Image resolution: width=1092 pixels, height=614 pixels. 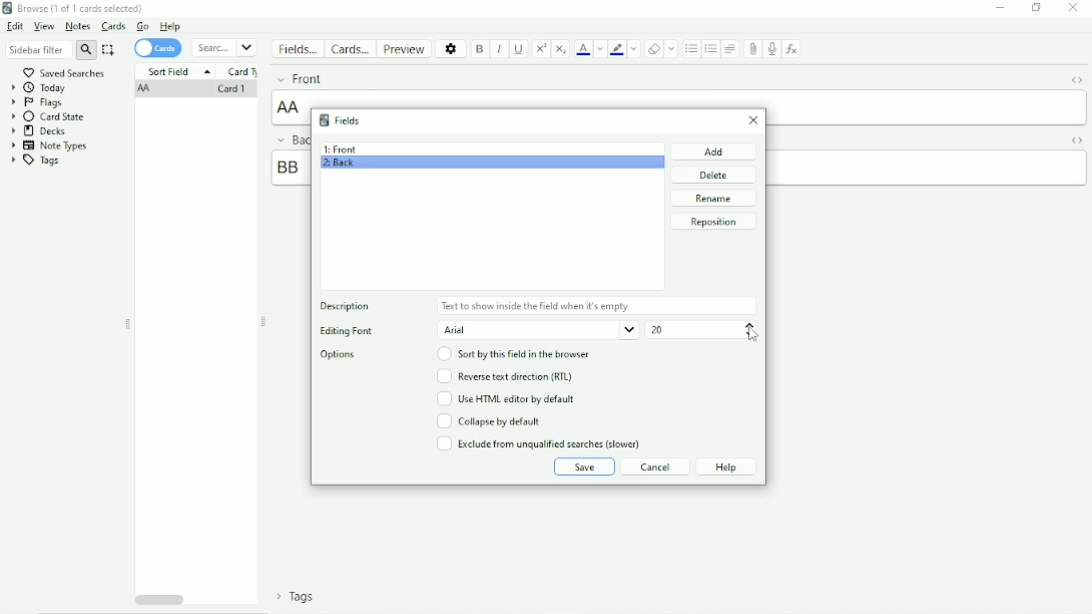 I want to click on Text to show inside the field when it's empty, so click(x=537, y=306).